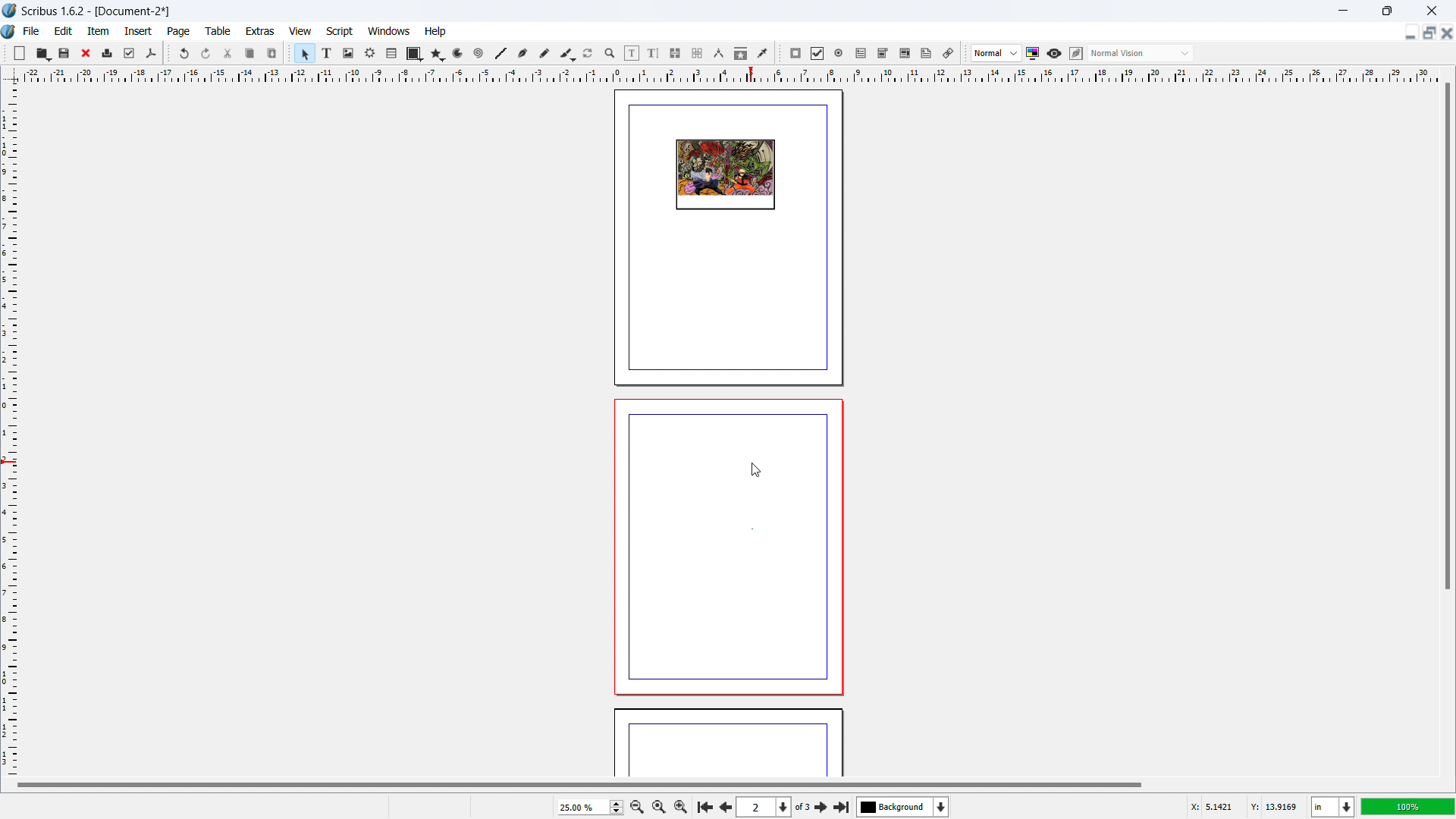 The height and width of the screenshot is (819, 1456). Describe the element at coordinates (728, 745) in the screenshot. I see `page` at that location.